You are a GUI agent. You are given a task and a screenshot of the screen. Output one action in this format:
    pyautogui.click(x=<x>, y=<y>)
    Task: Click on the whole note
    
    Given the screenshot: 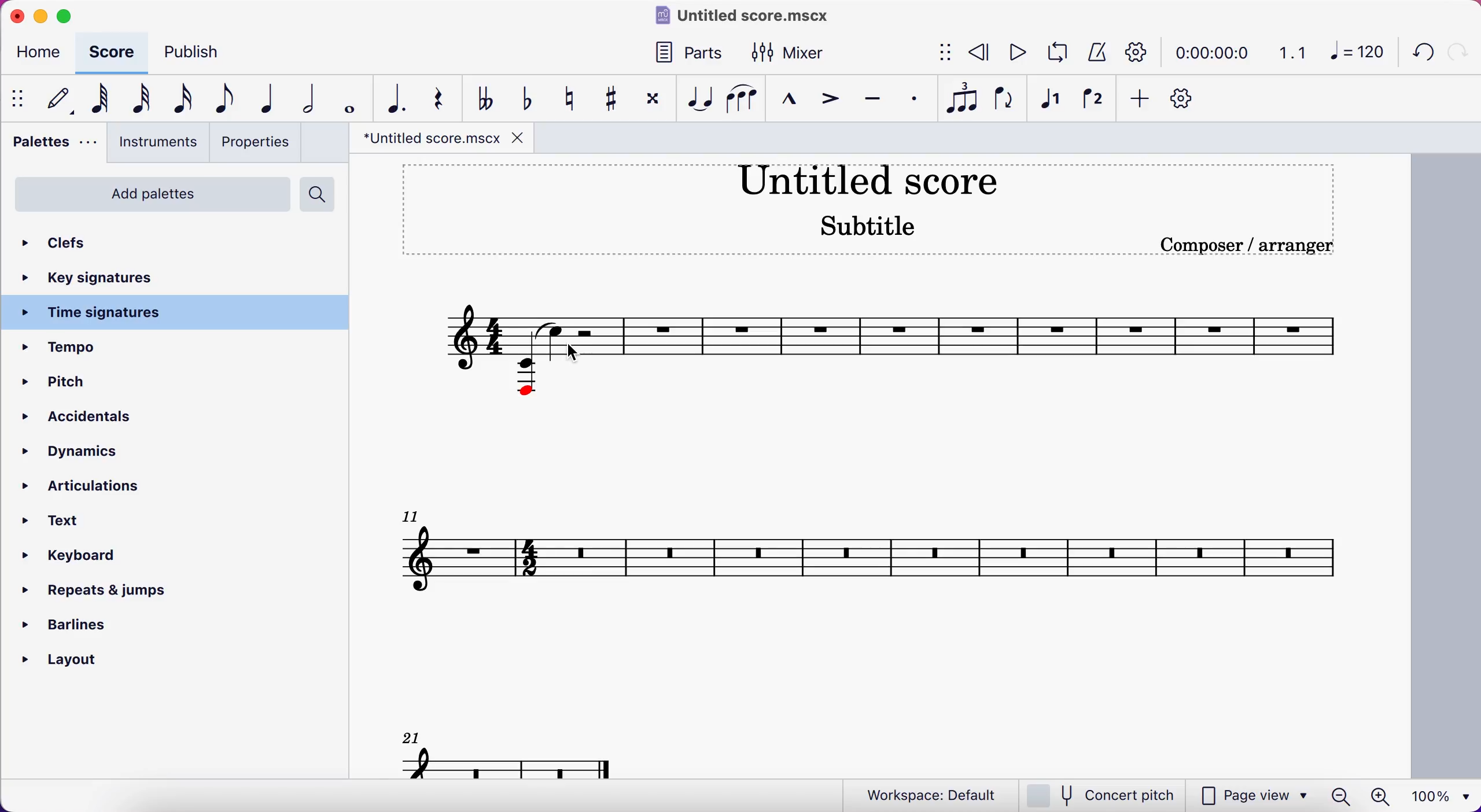 What is the action you would take?
    pyautogui.click(x=351, y=98)
    